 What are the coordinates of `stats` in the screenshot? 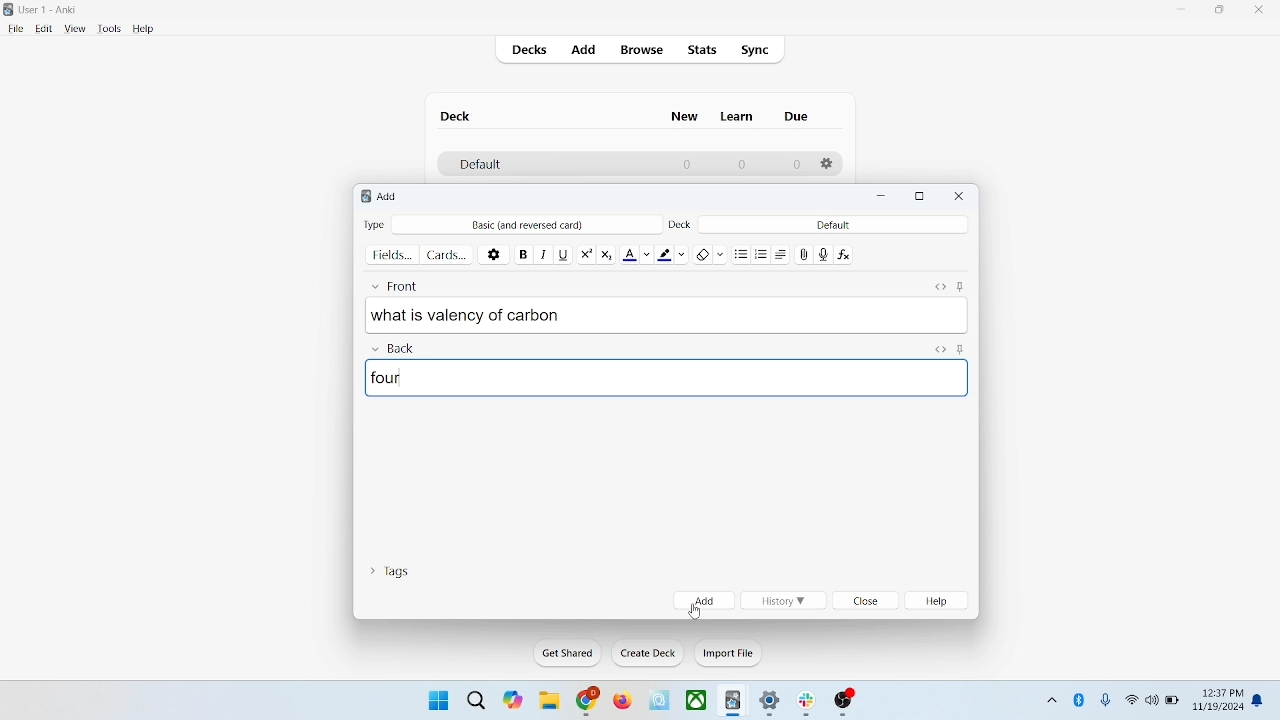 It's located at (701, 50).